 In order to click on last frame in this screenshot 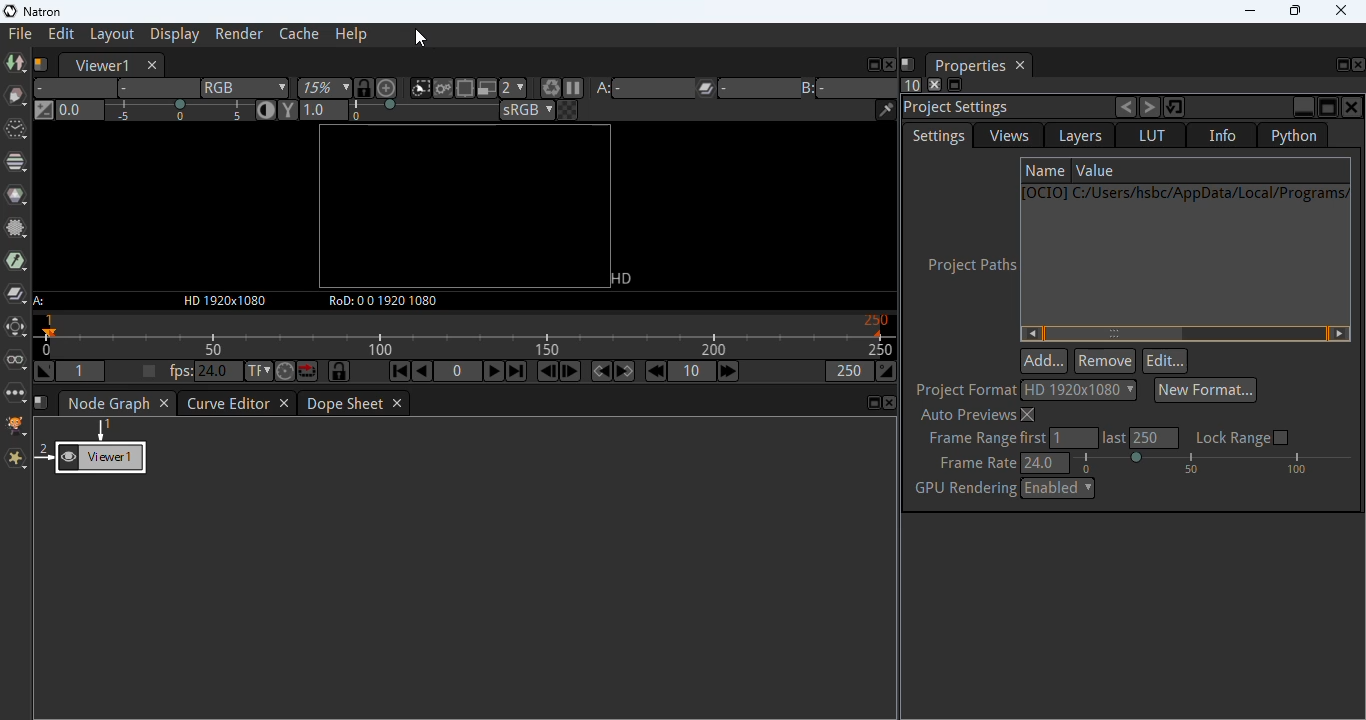, I will do `click(517, 371)`.